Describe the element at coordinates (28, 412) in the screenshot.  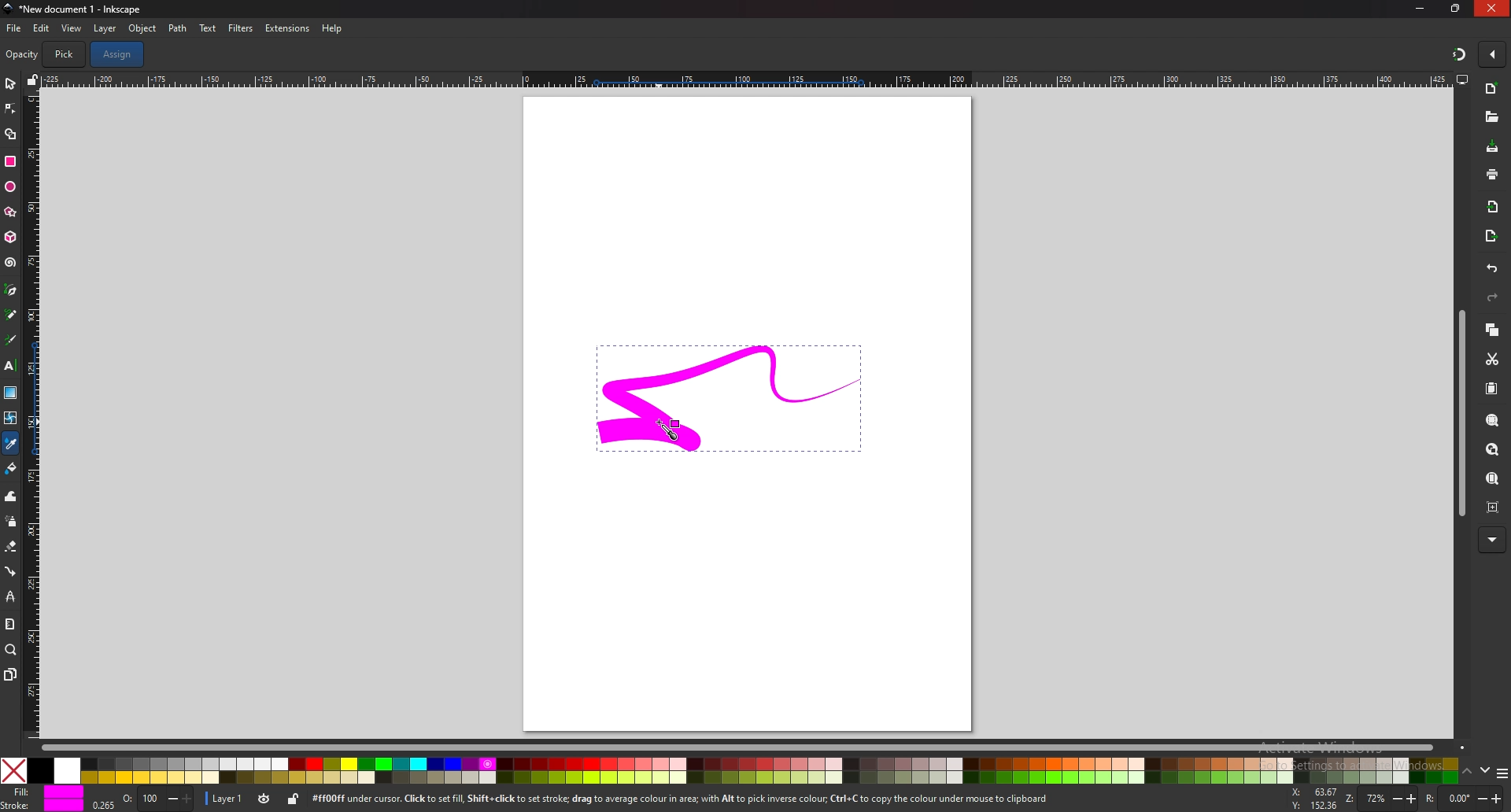
I see `vertical scale` at that location.